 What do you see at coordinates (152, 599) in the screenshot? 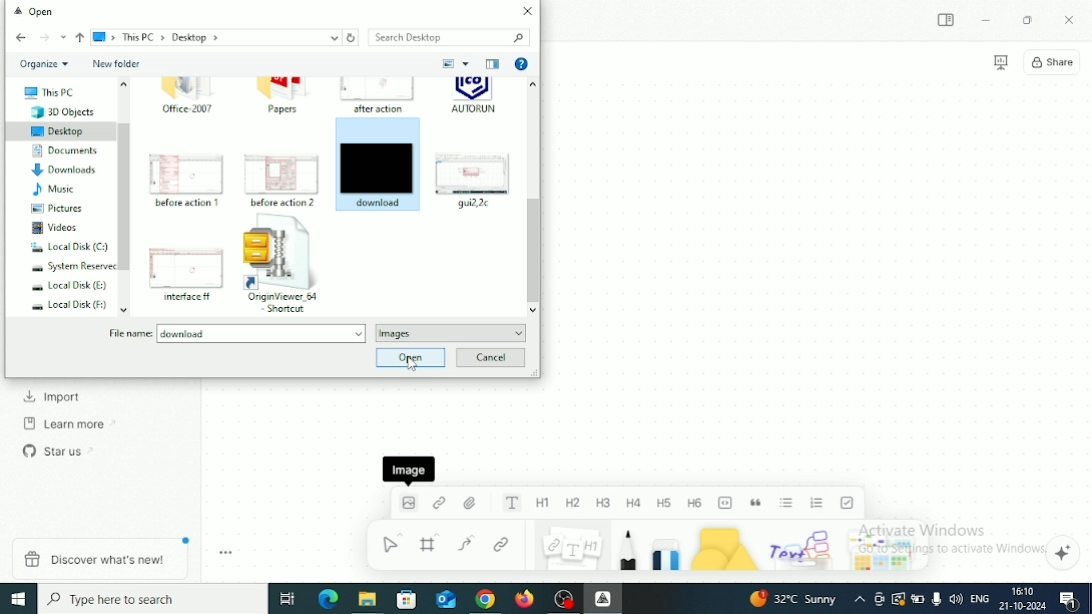
I see `Type here to search` at bounding box center [152, 599].